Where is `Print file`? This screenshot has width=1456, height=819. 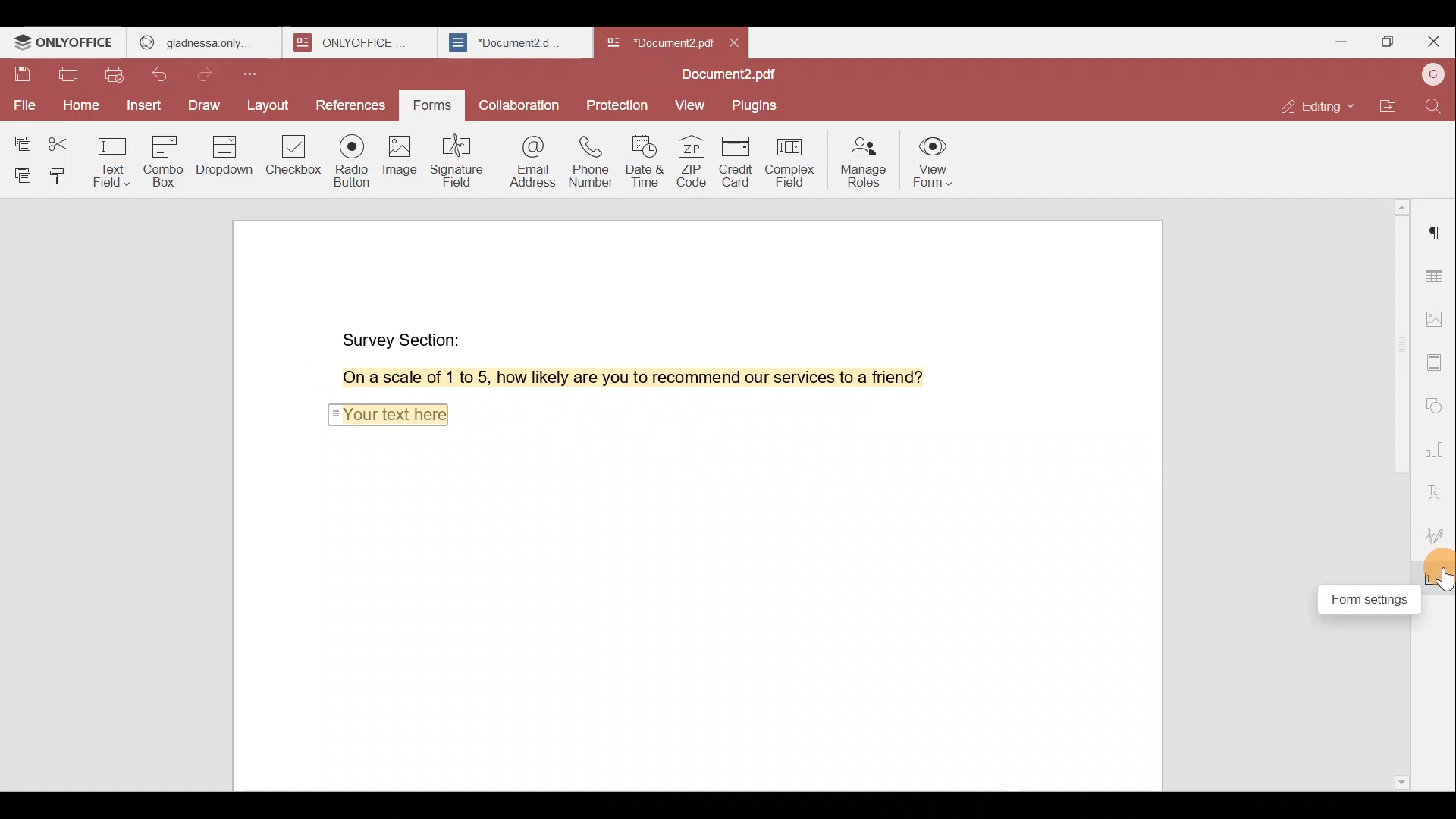 Print file is located at coordinates (67, 77).